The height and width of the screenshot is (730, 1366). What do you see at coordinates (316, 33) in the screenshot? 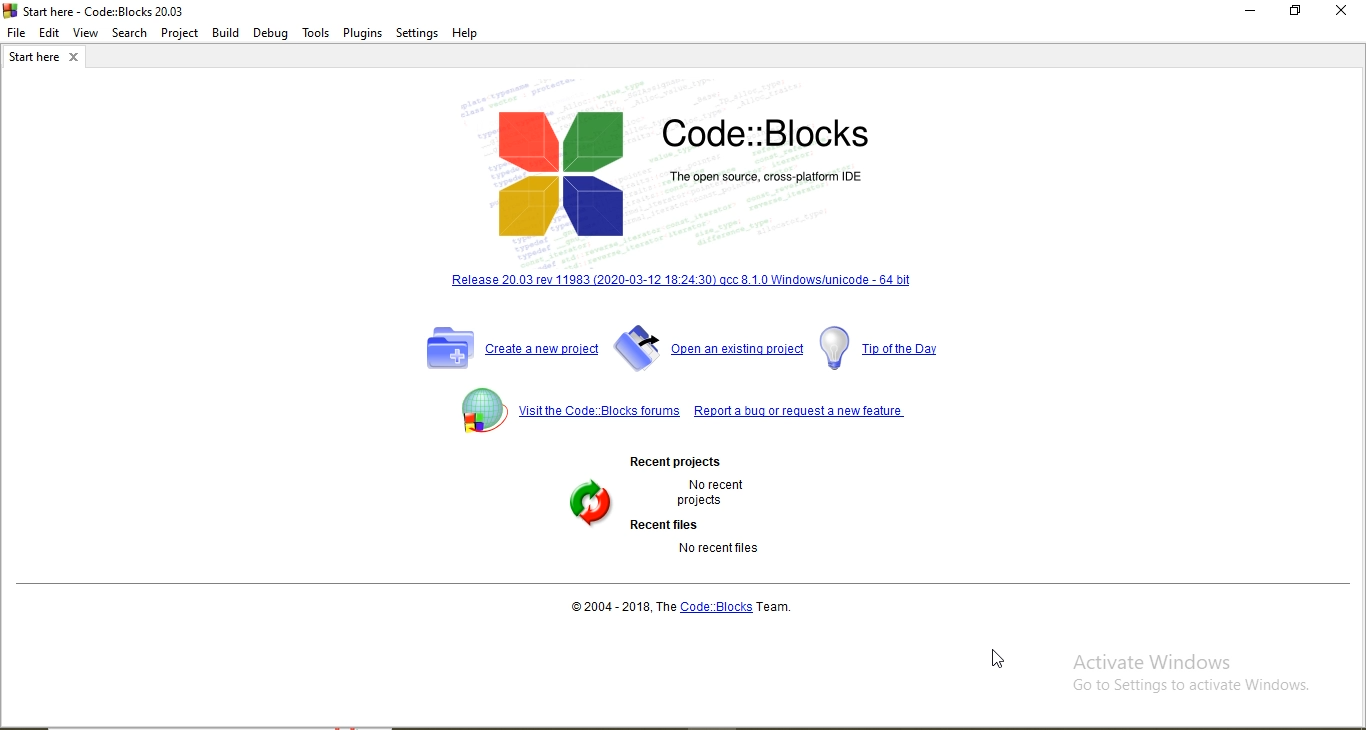
I see `Tools ` at bounding box center [316, 33].